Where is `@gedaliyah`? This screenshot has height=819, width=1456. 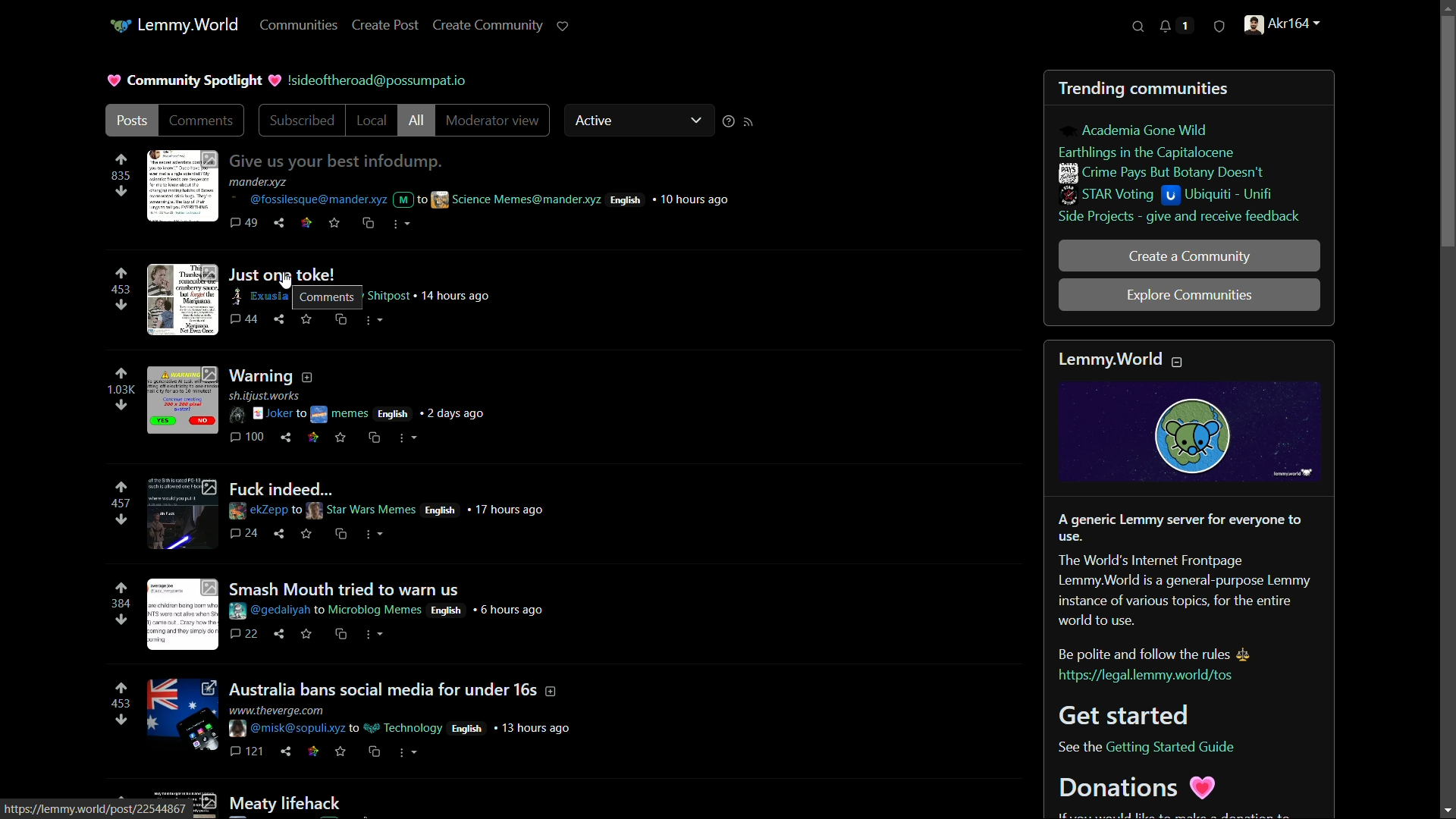
@gedaliyah is located at coordinates (267, 612).